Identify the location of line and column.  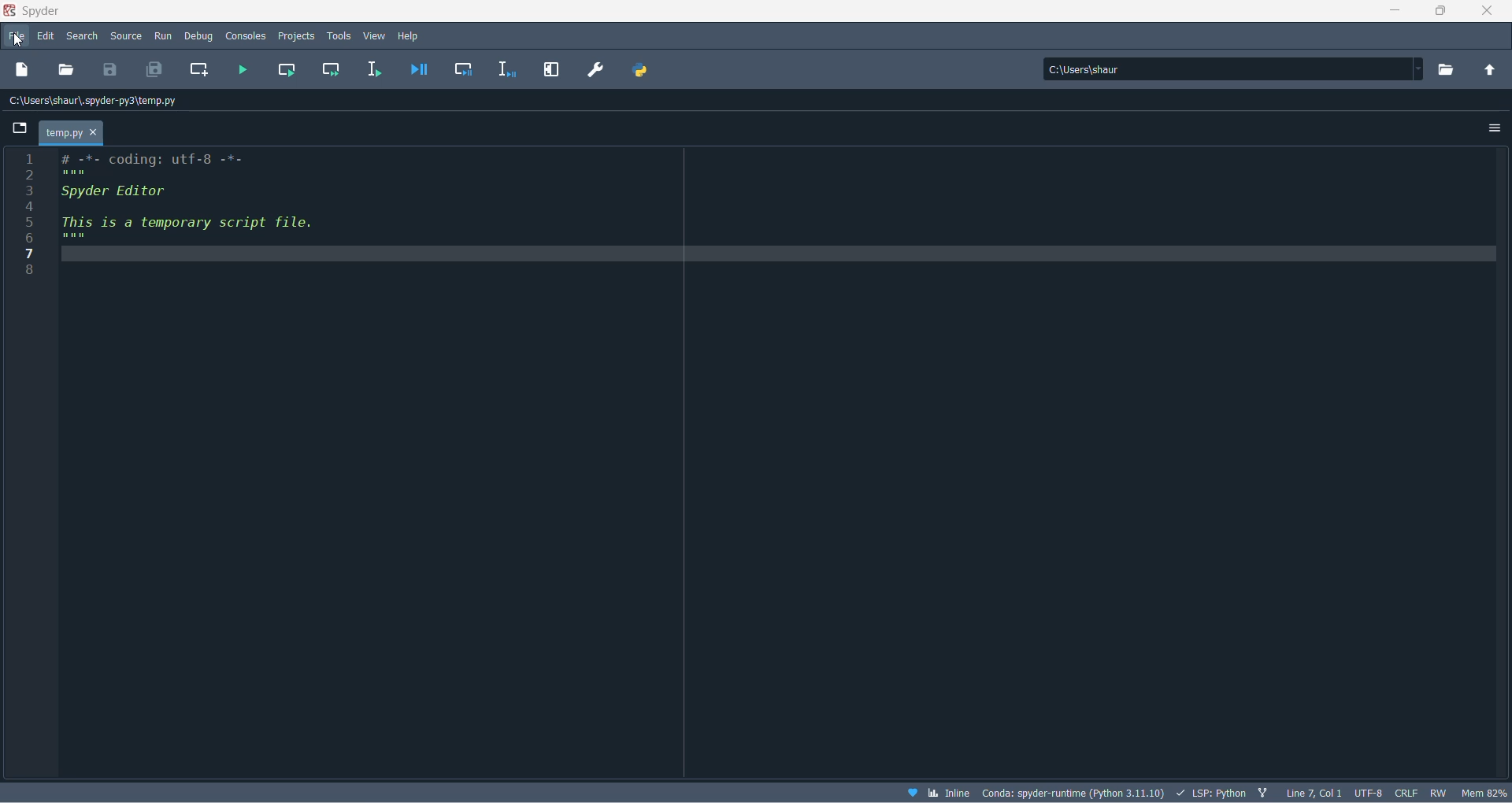
(1315, 792).